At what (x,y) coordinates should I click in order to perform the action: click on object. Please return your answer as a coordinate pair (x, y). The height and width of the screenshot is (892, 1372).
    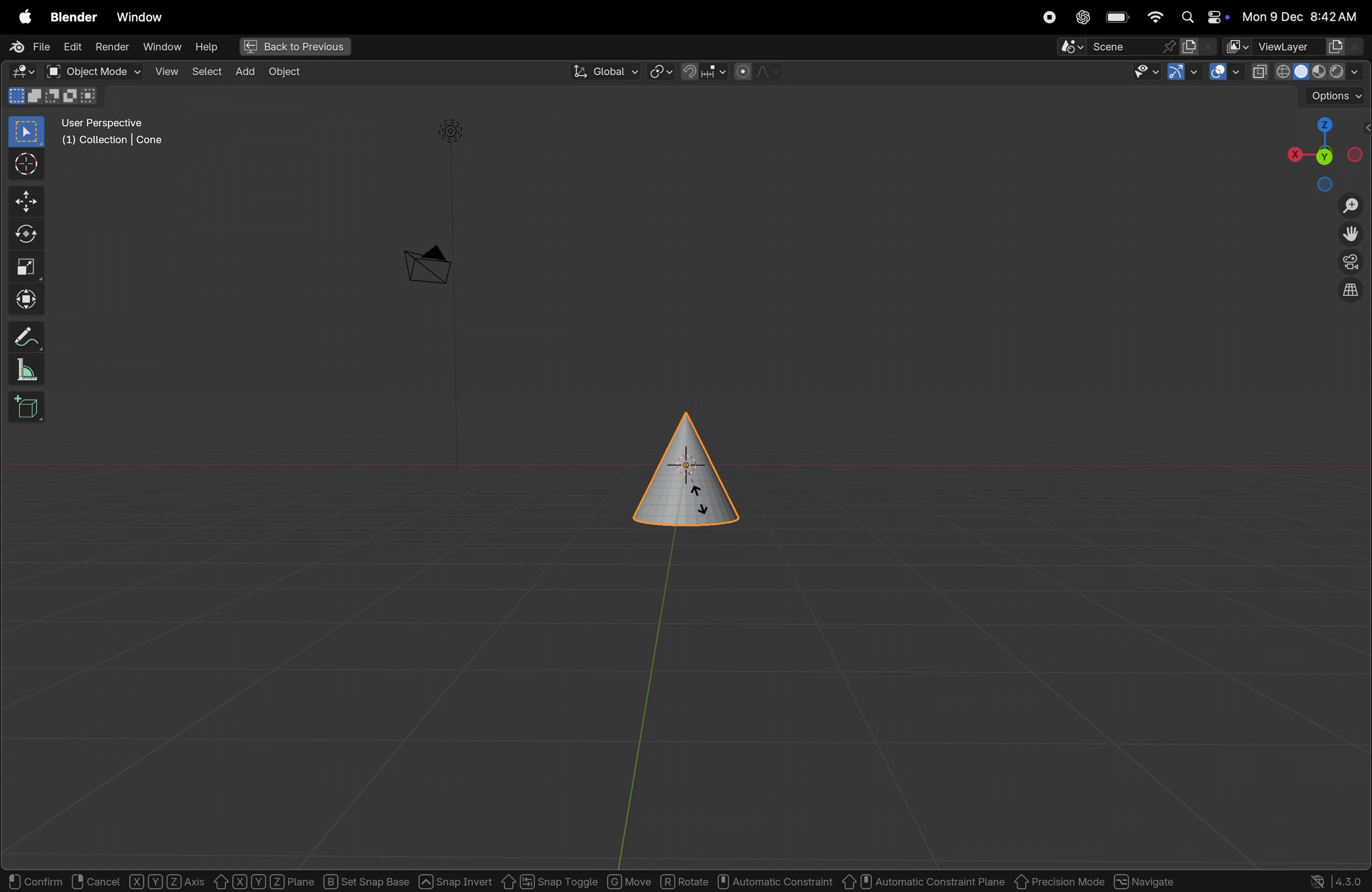
    Looking at the image, I should click on (168, 881).